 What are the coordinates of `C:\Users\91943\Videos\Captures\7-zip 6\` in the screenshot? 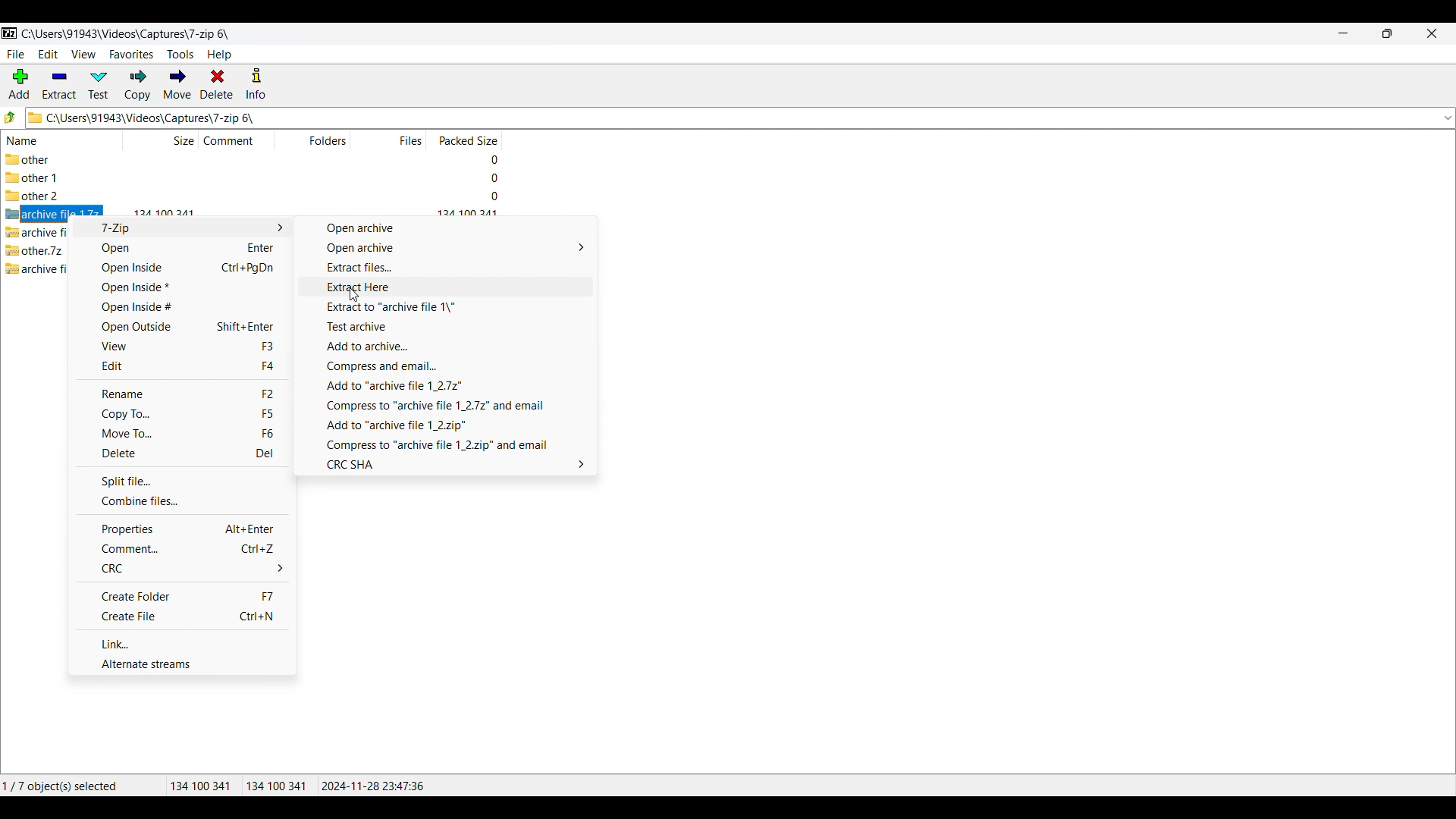 It's located at (127, 34).